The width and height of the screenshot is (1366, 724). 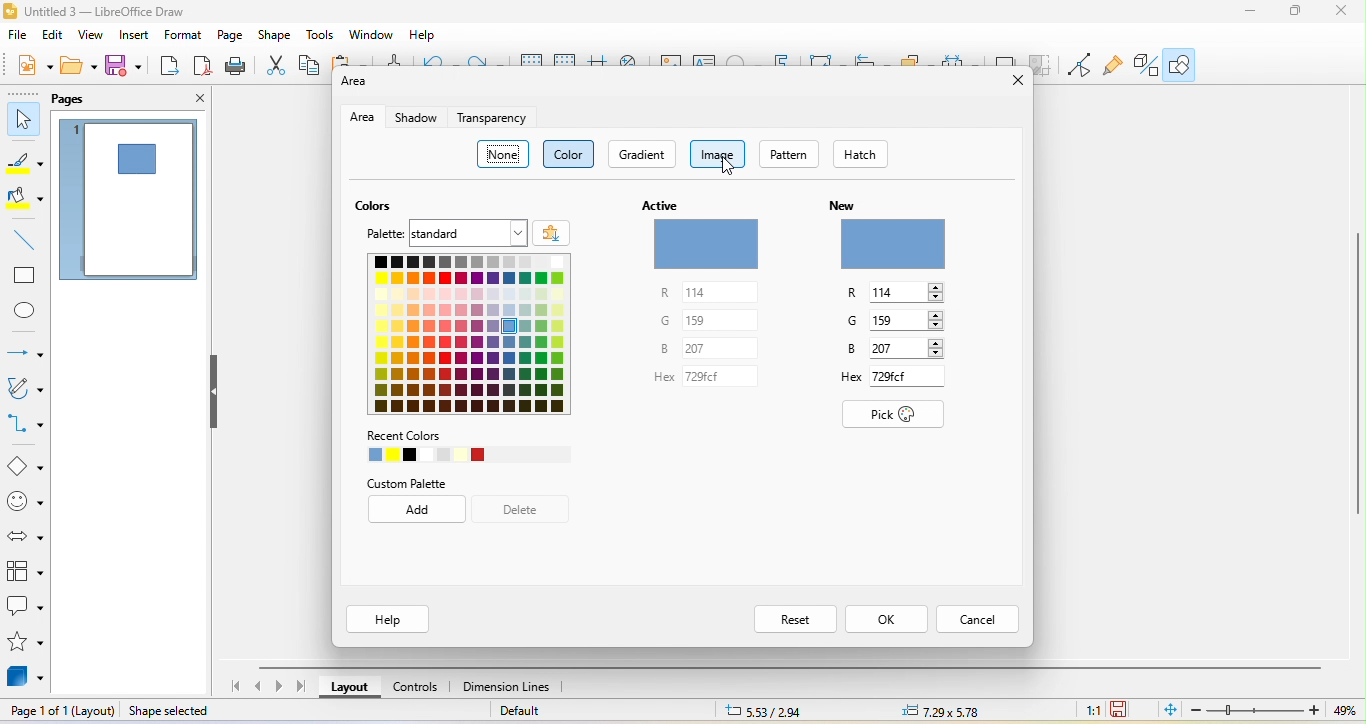 I want to click on format, so click(x=187, y=36).